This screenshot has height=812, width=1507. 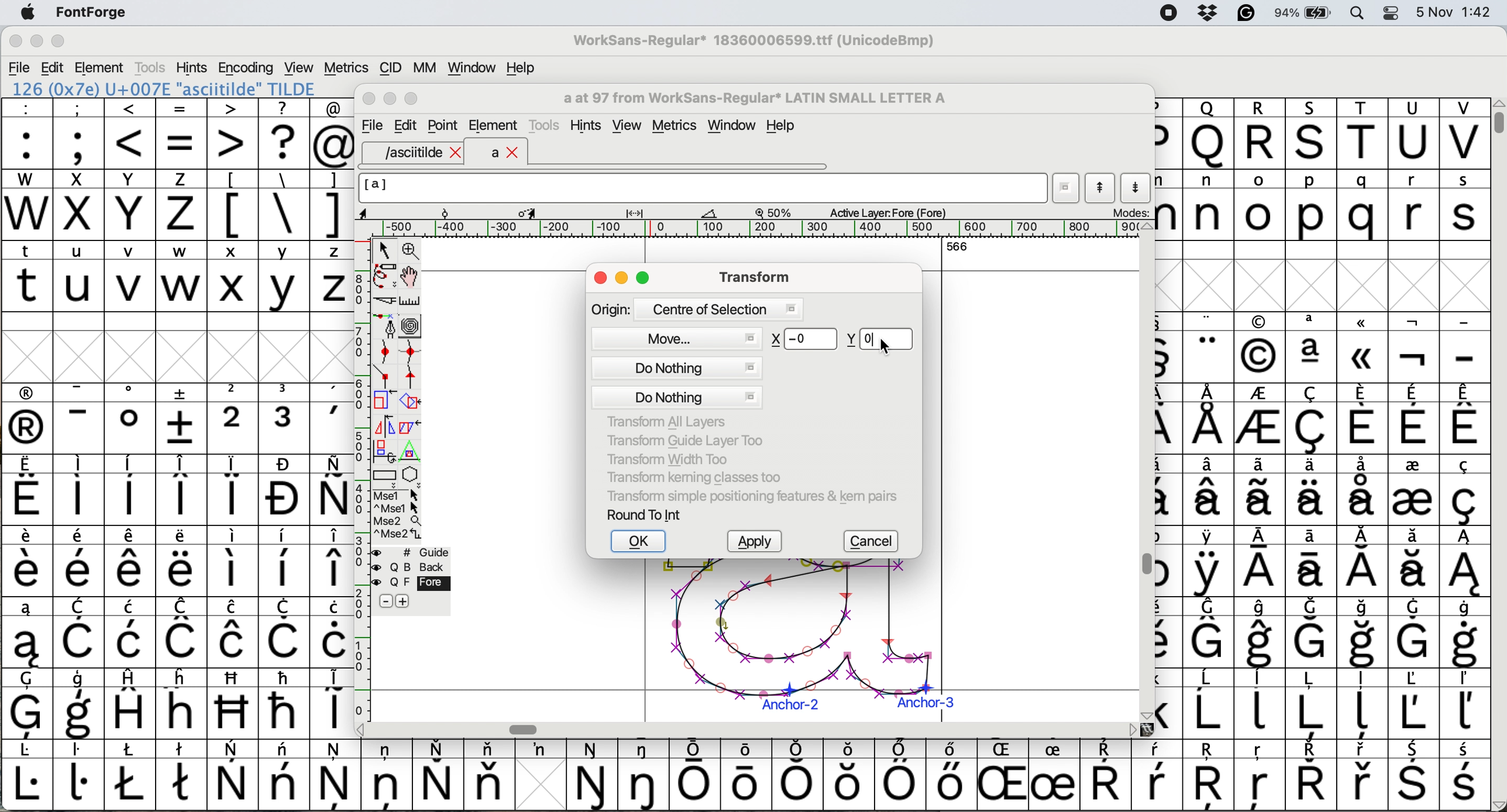 I want to click on apply, so click(x=759, y=542).